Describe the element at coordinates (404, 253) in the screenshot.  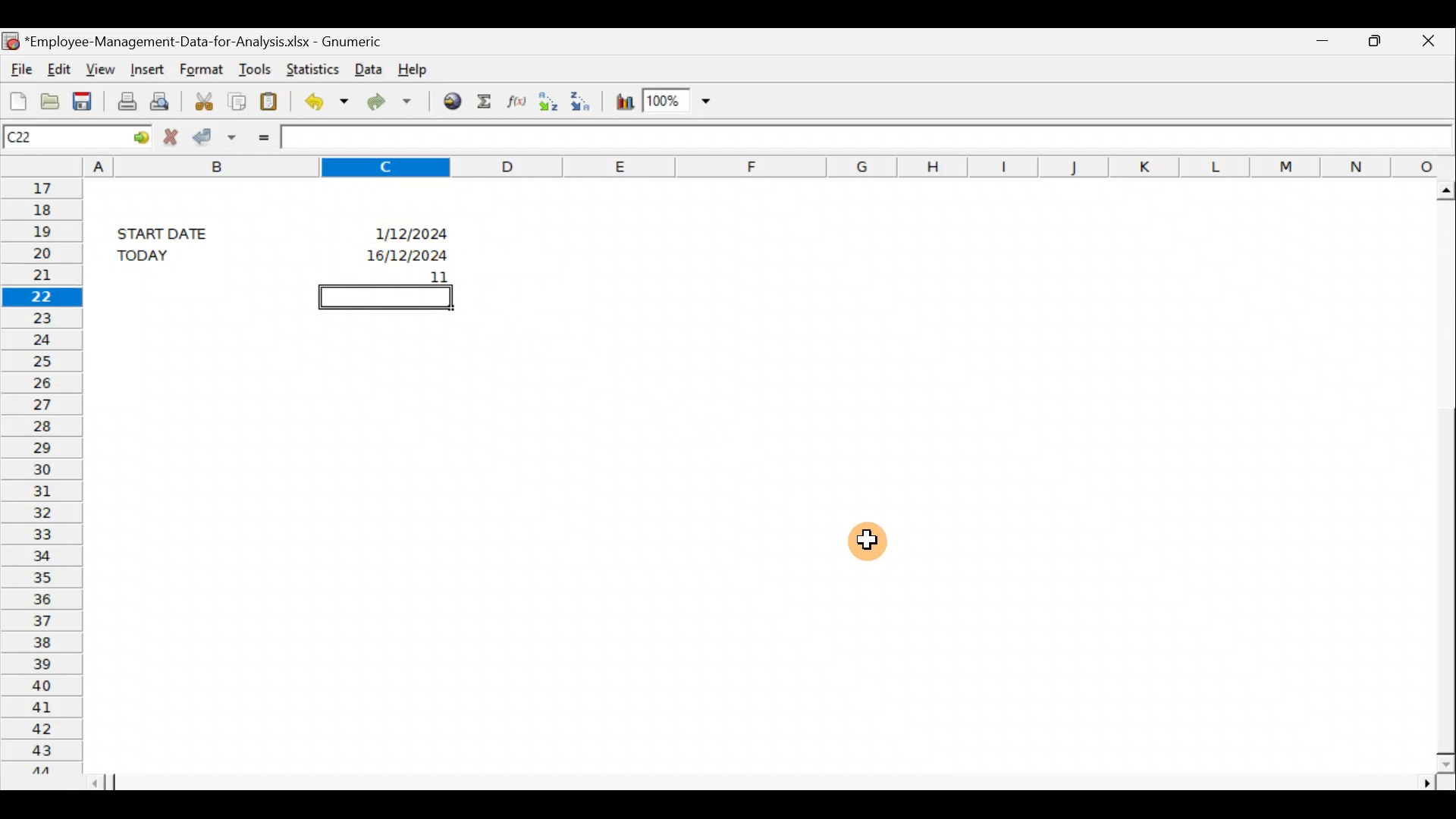
I see `16/12/2024` at that location.